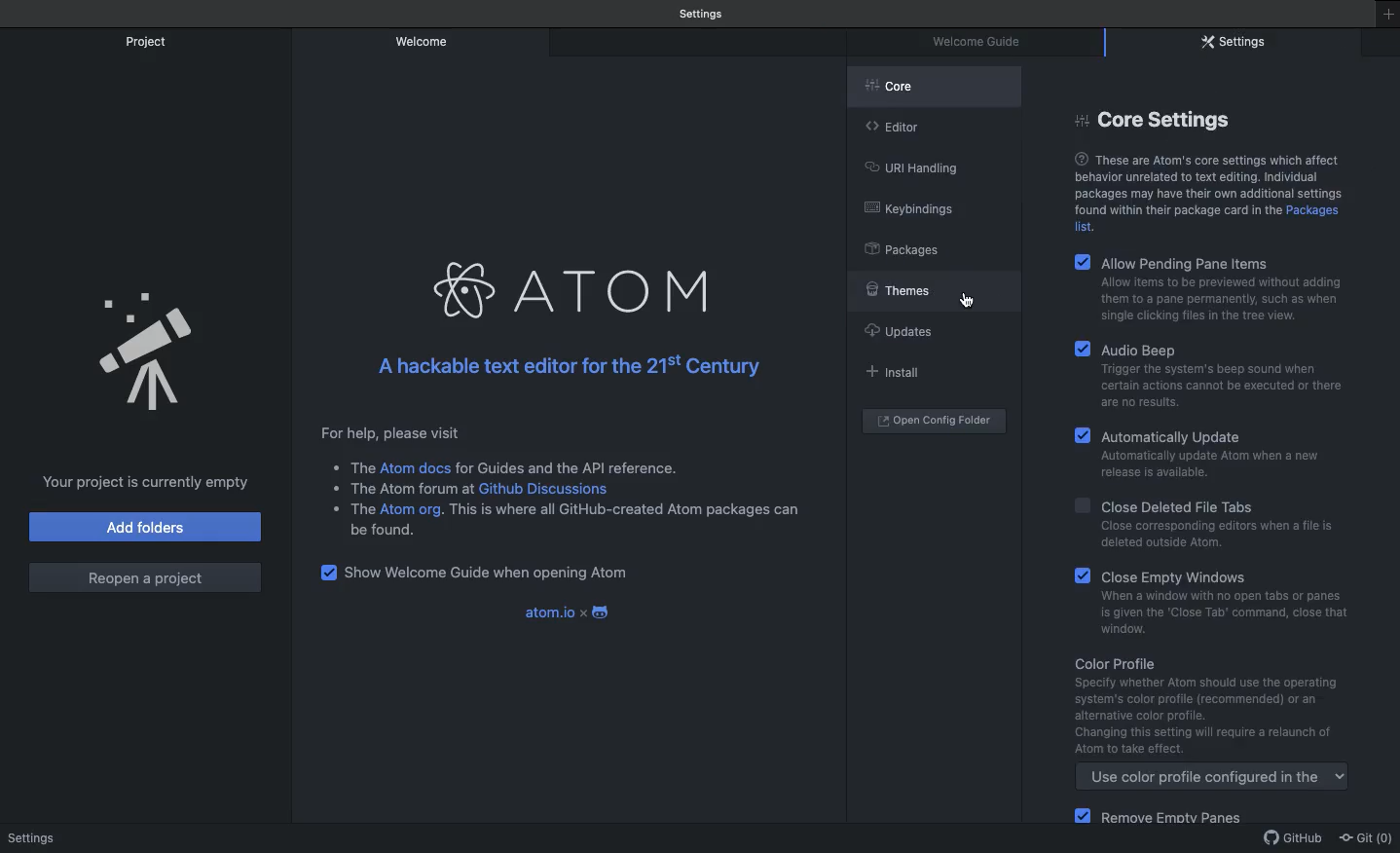  What do you see at coordinates (347, 465) in the screenshot?
I see `© The` at bounding box center [347, 465].